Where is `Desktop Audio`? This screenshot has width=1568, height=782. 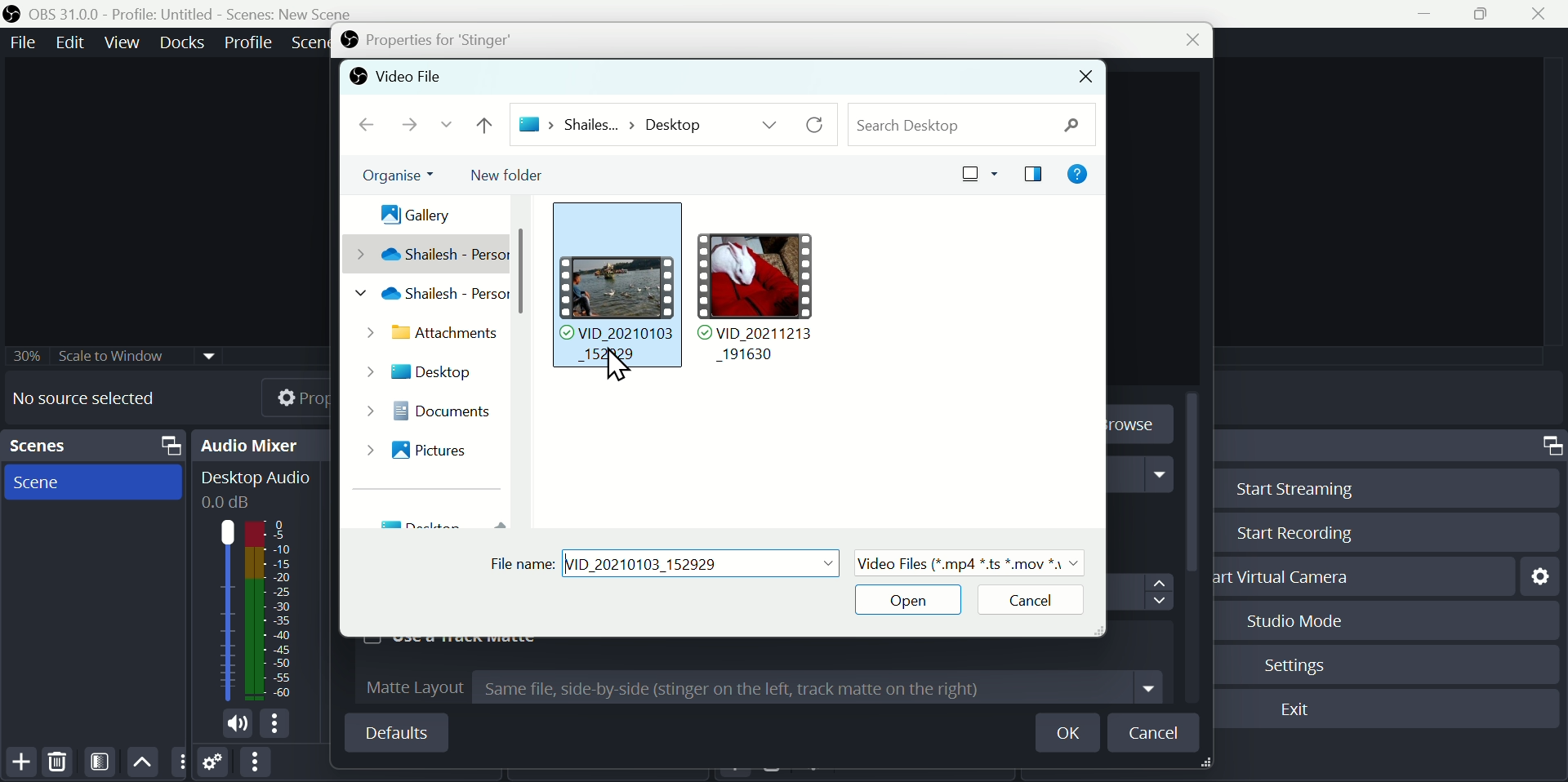
Desktop Audio is located at coordinates (254, 488).